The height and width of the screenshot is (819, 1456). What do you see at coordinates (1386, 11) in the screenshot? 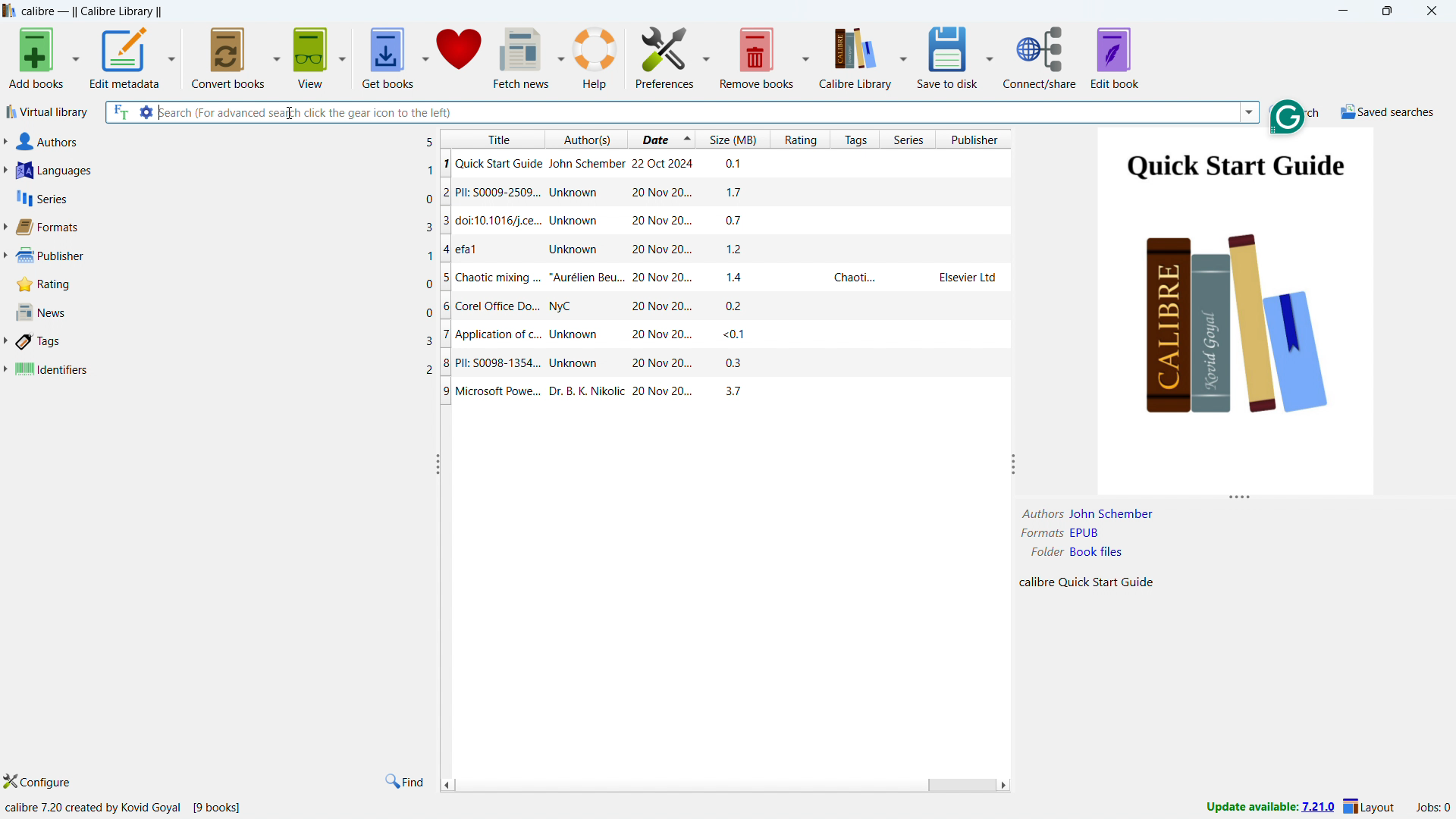
I see `maximize` at bounding box center [1386, 11].